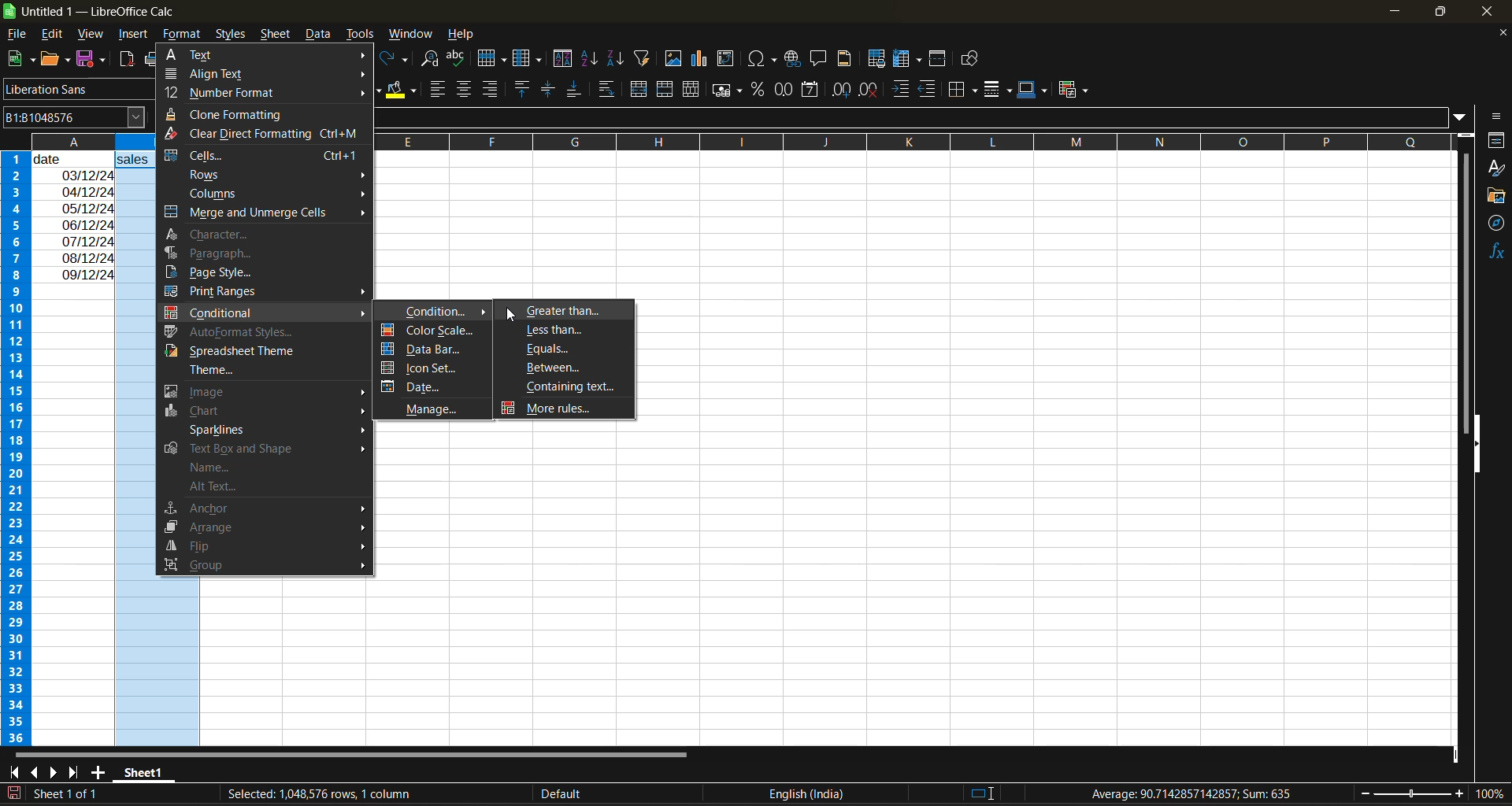 This screenshot has height=806, width=1512. I want to click on styles, so click(234, 31).